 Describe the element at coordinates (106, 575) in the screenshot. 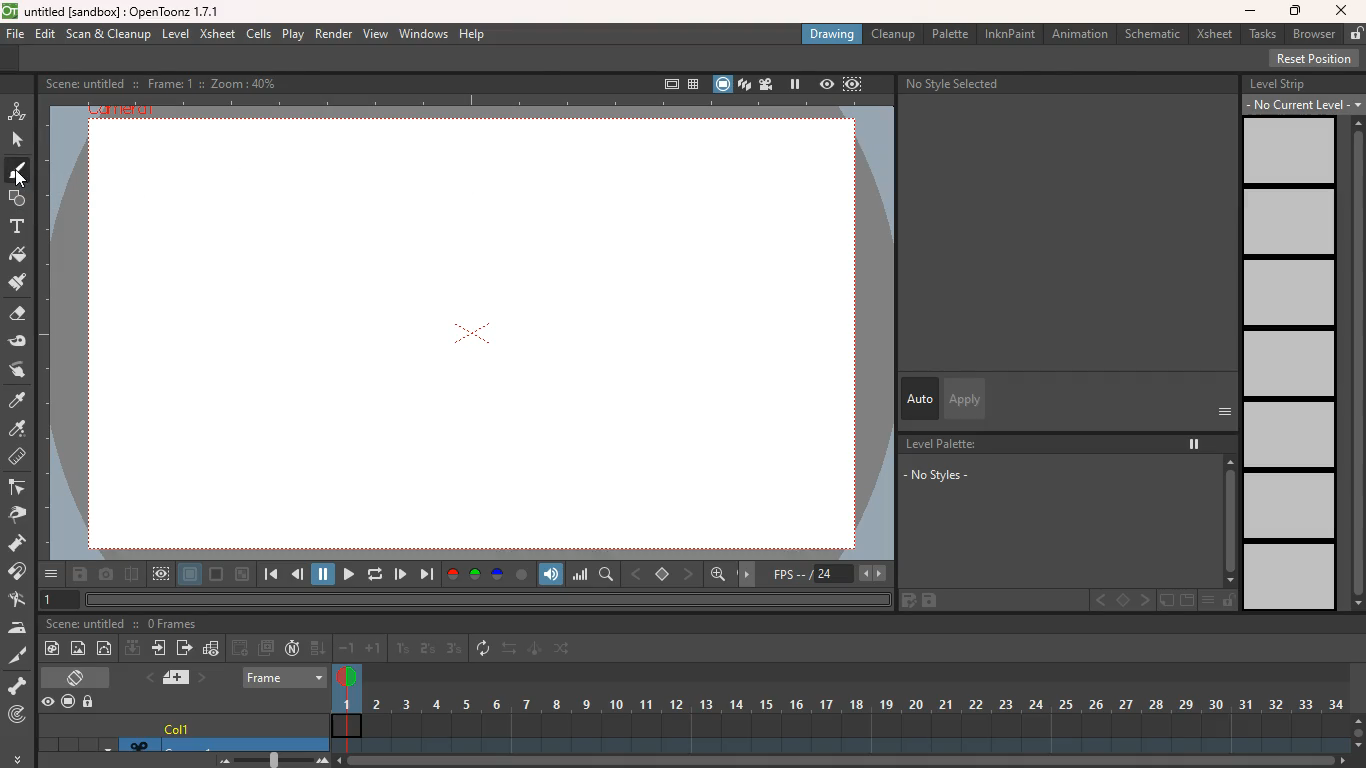

I see `camera` at that location.